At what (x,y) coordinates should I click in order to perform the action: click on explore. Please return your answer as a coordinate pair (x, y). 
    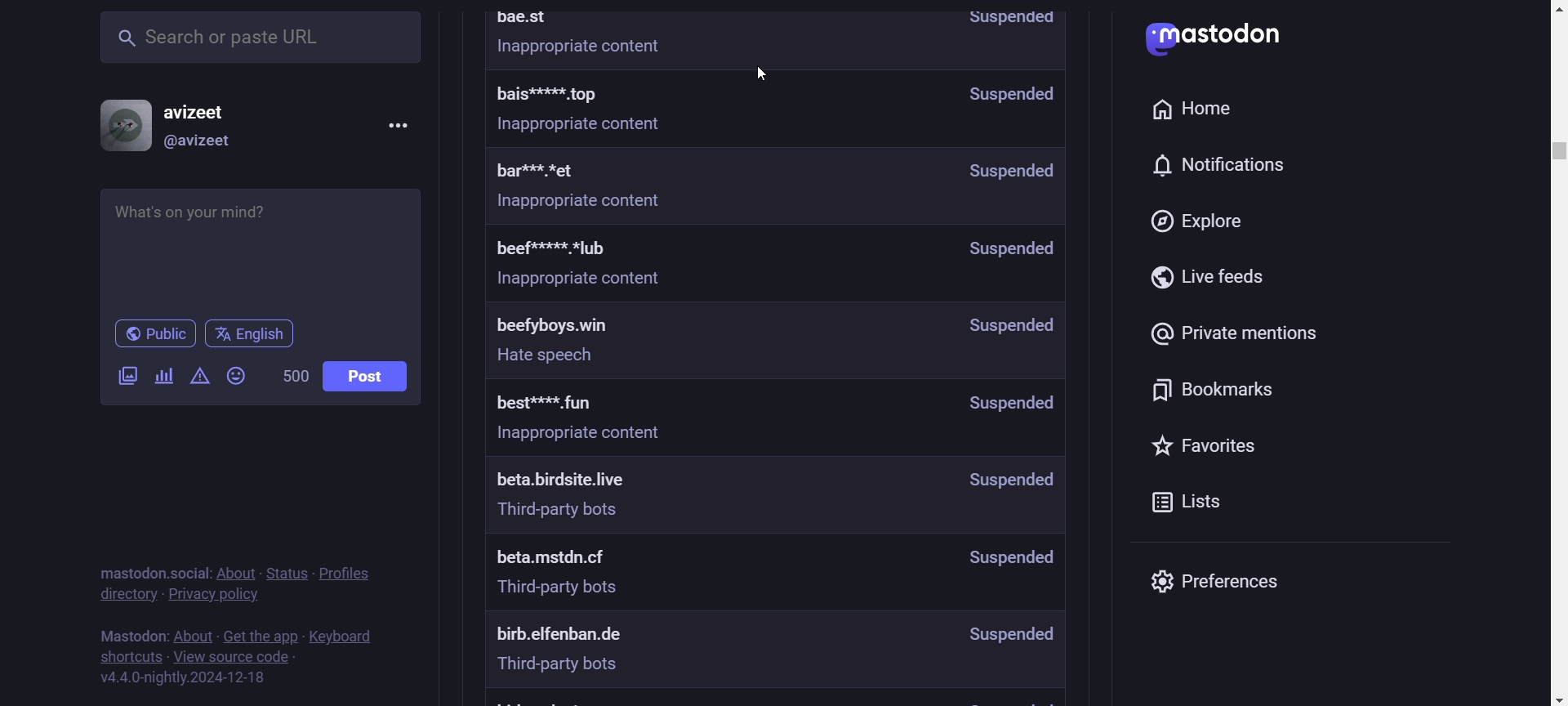
    Looking at the image, I should click on (1189, 223).